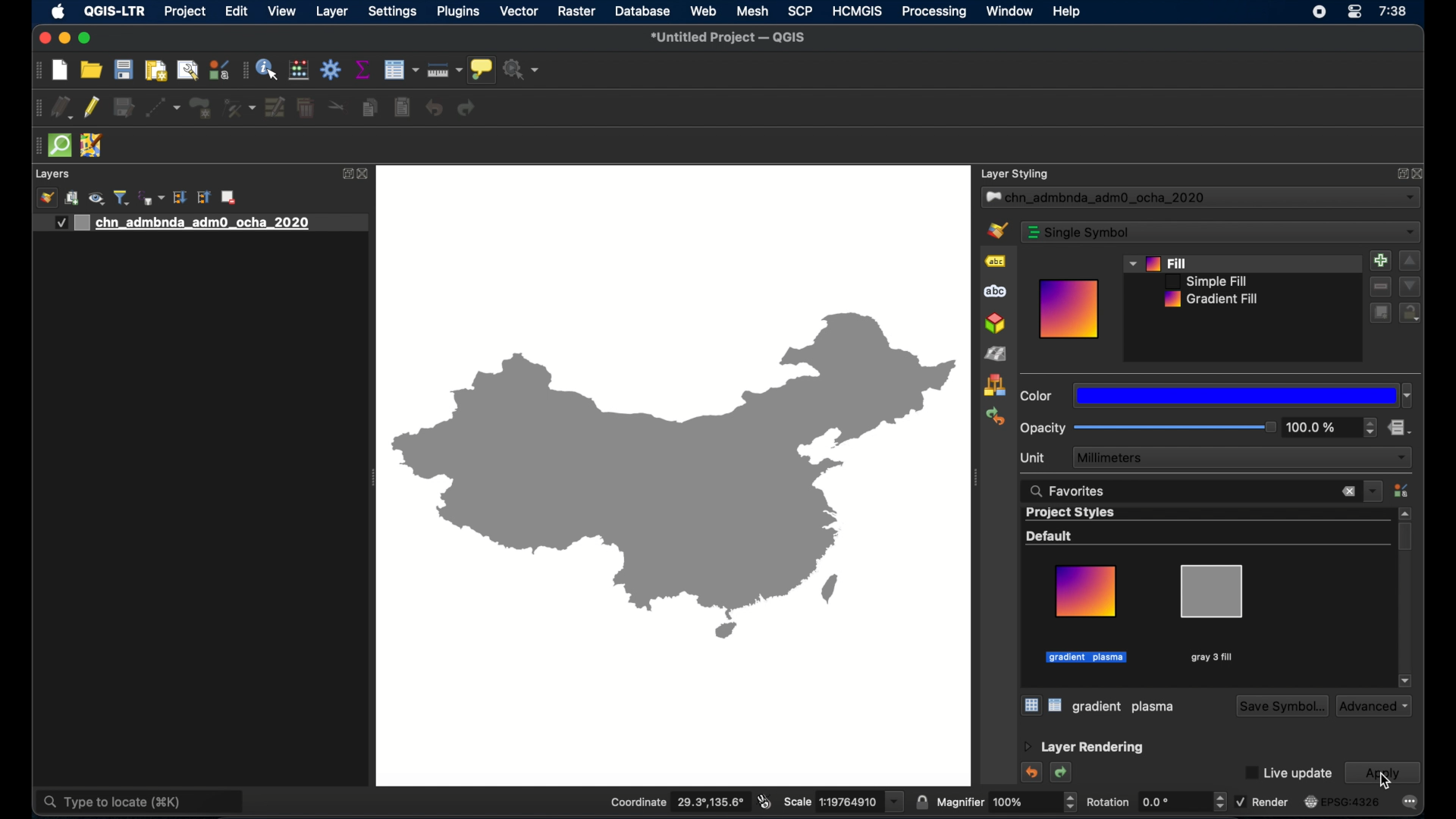 The height and width of the screenshot is (819, 1456). I want to click on fill, so click(1165, 263).